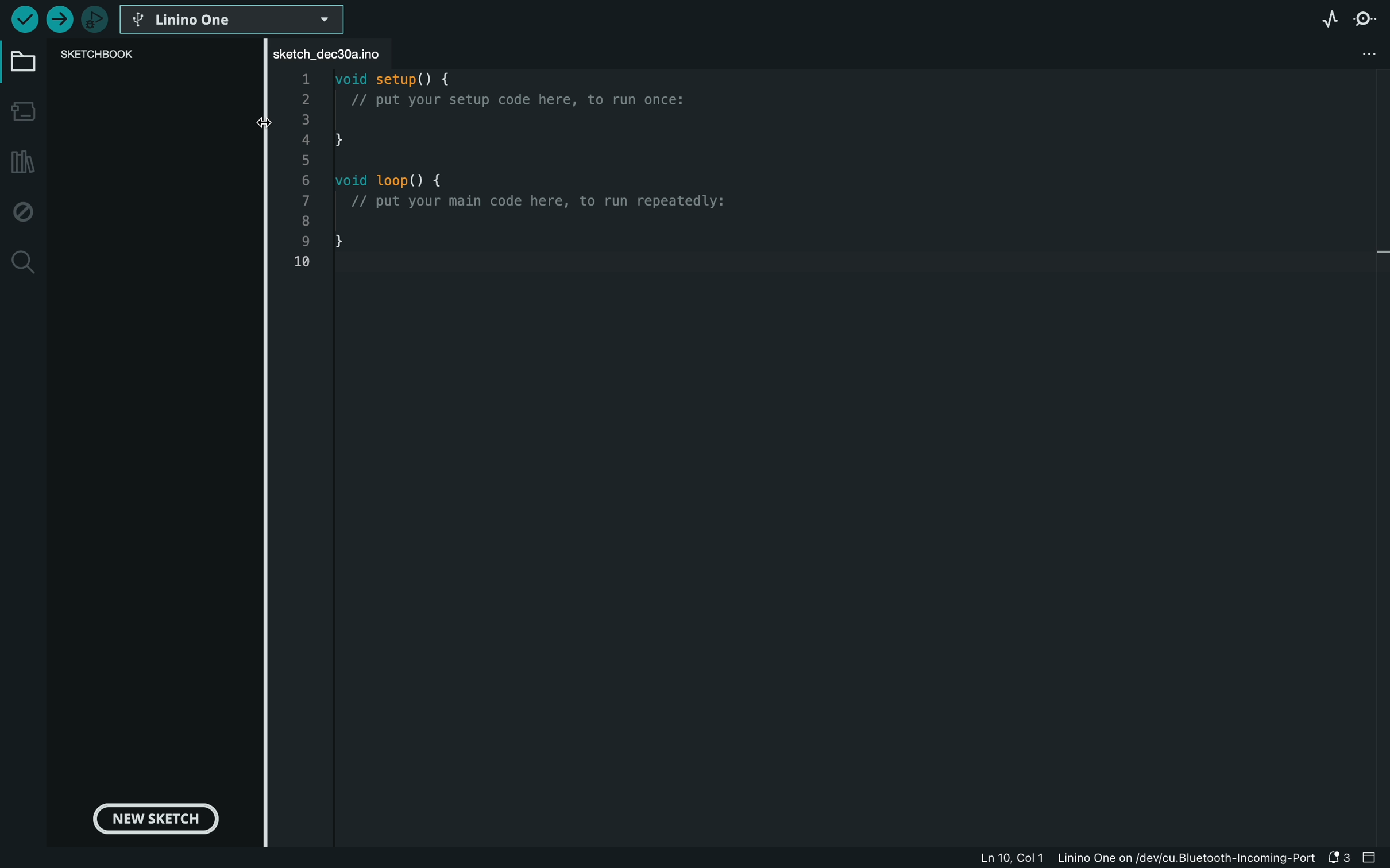 The width and height of the screenshot is (1390, 868). What do you see at coordinates (20, 64) in the screenshot?
I see `board` at bounding box center [20, 64].